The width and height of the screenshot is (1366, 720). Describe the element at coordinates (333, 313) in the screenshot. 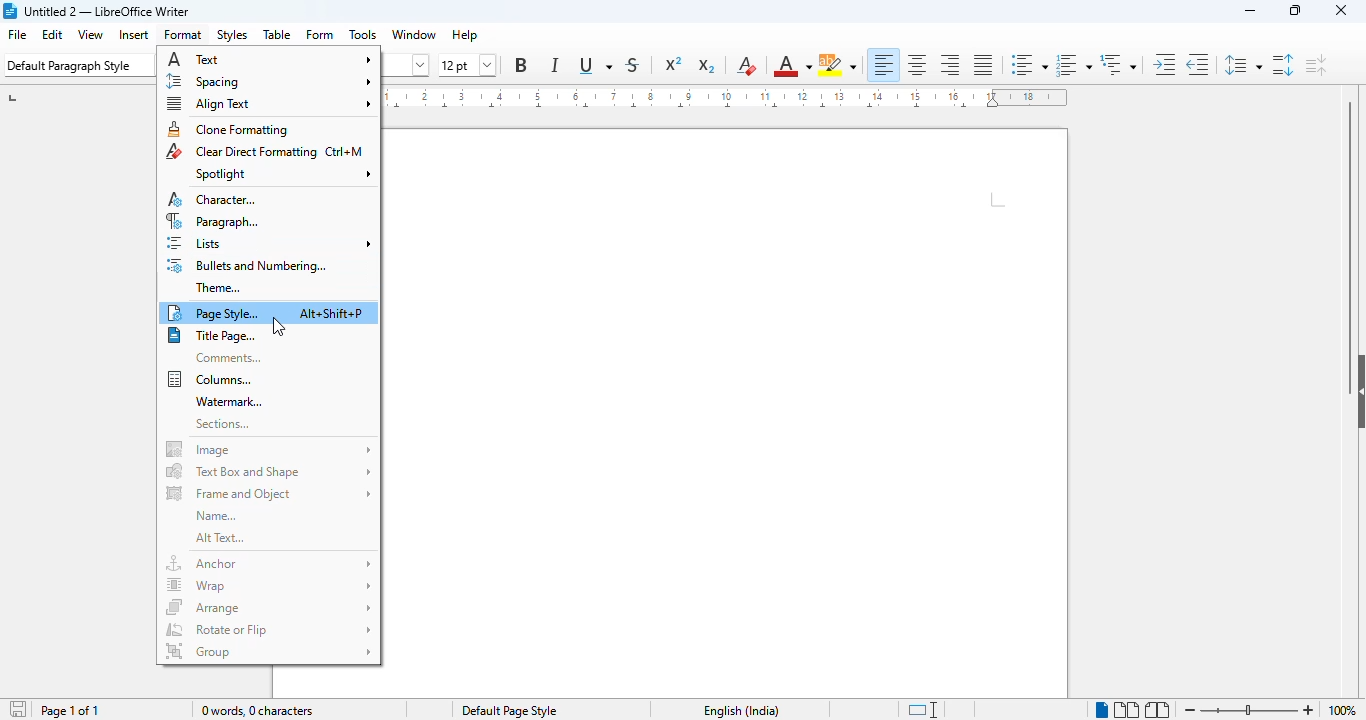

I see `shortcut for page style` at that location.